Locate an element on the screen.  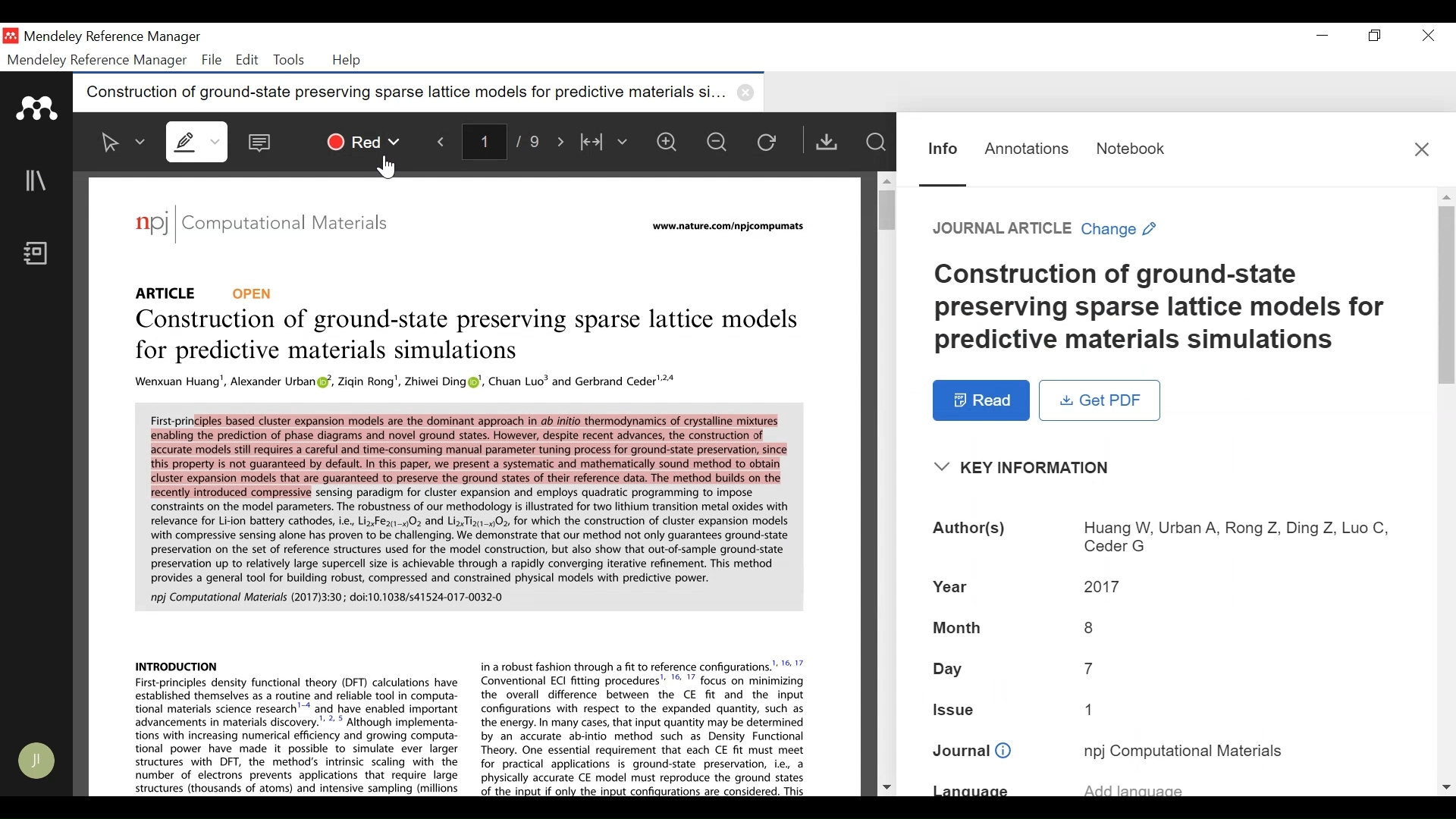
Select Text is located at coordinates (120, 141).